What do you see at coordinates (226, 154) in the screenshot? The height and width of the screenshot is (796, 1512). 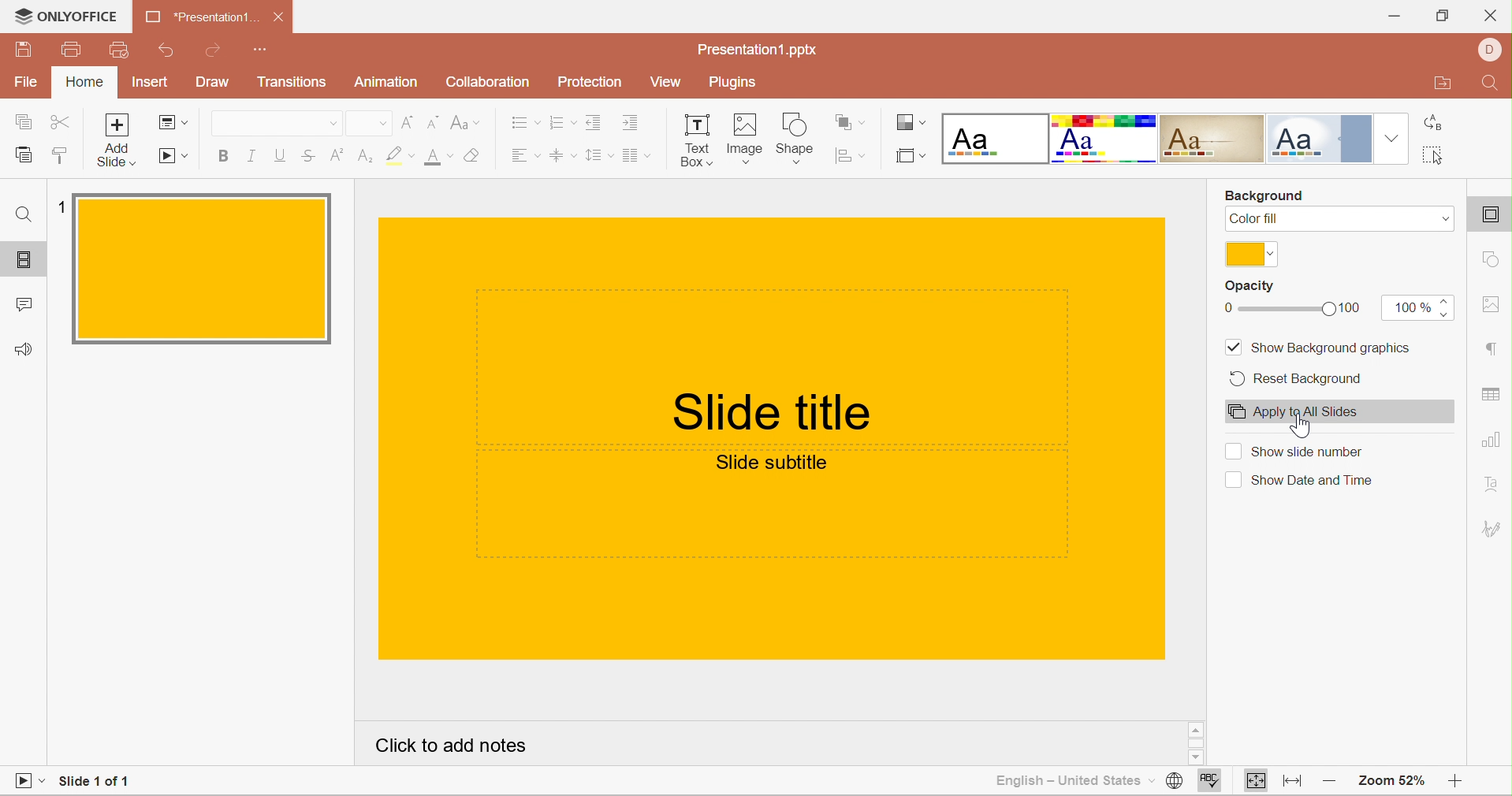 I see `Bold` at bounding box center [226, 154].